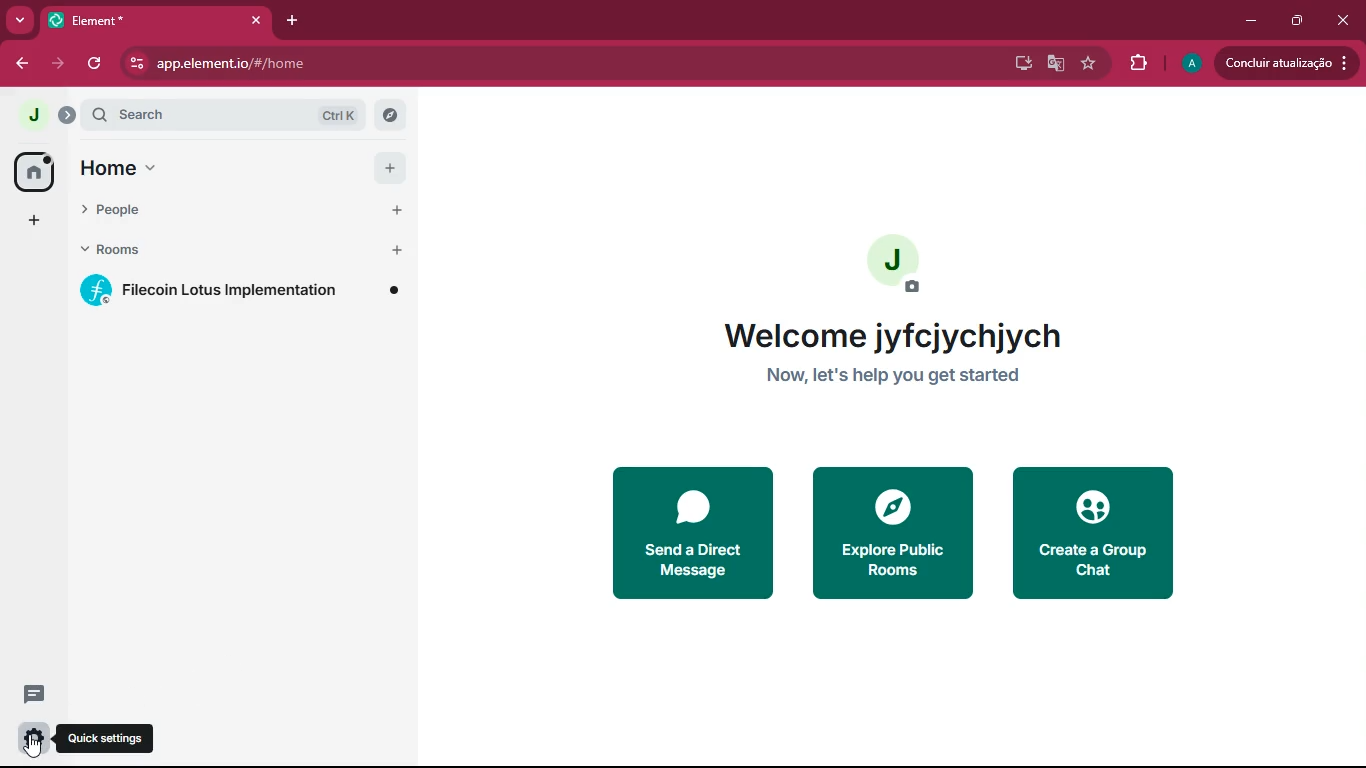 Image resolution: width=1366 pixels, height=768 pixels. What do you see at coordinates (889, 535) in the screenshot?
I see `explore public rooms` at bounding box center [889, 535].